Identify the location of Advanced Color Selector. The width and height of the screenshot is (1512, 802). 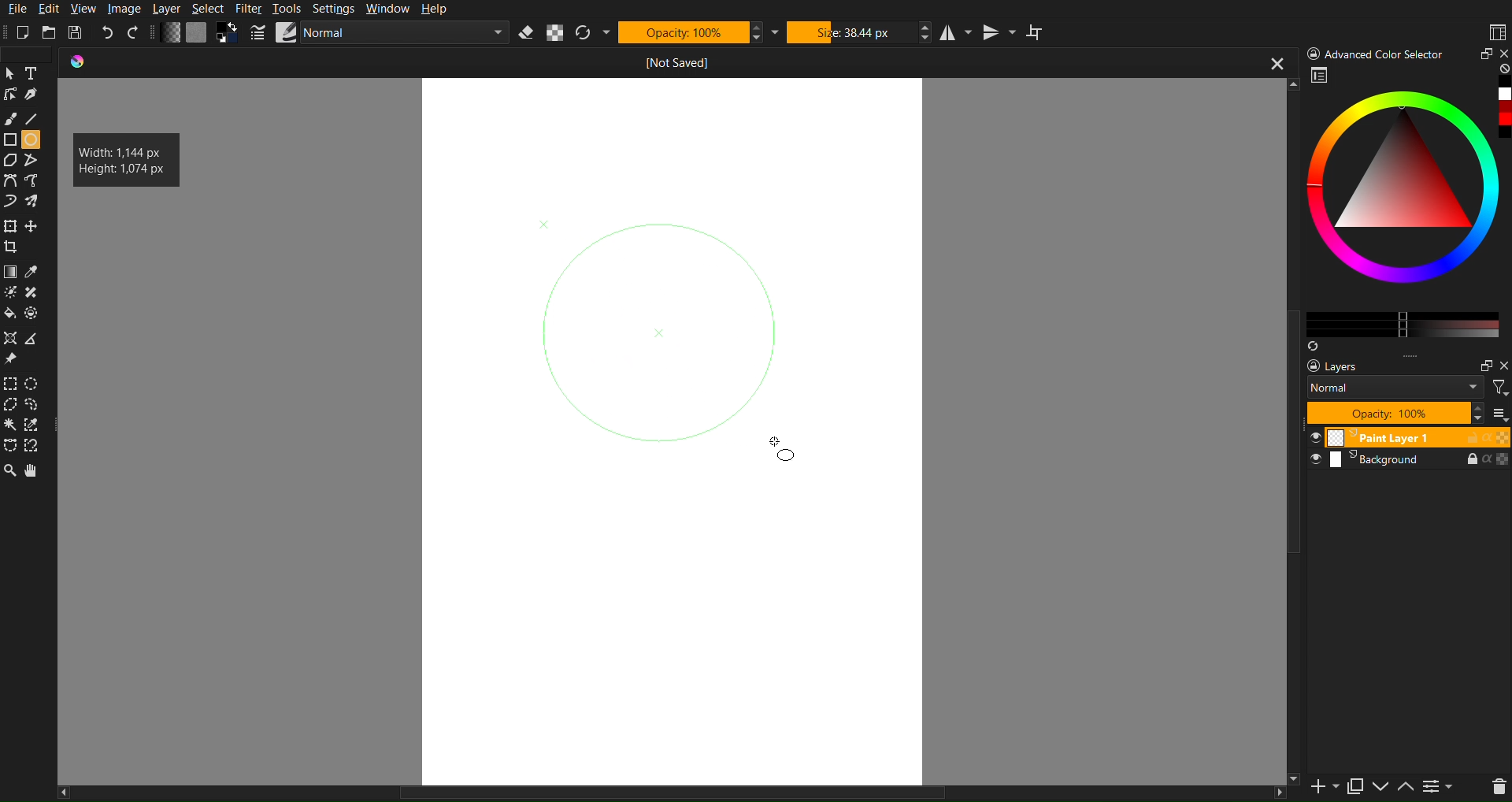
(1408, 210).